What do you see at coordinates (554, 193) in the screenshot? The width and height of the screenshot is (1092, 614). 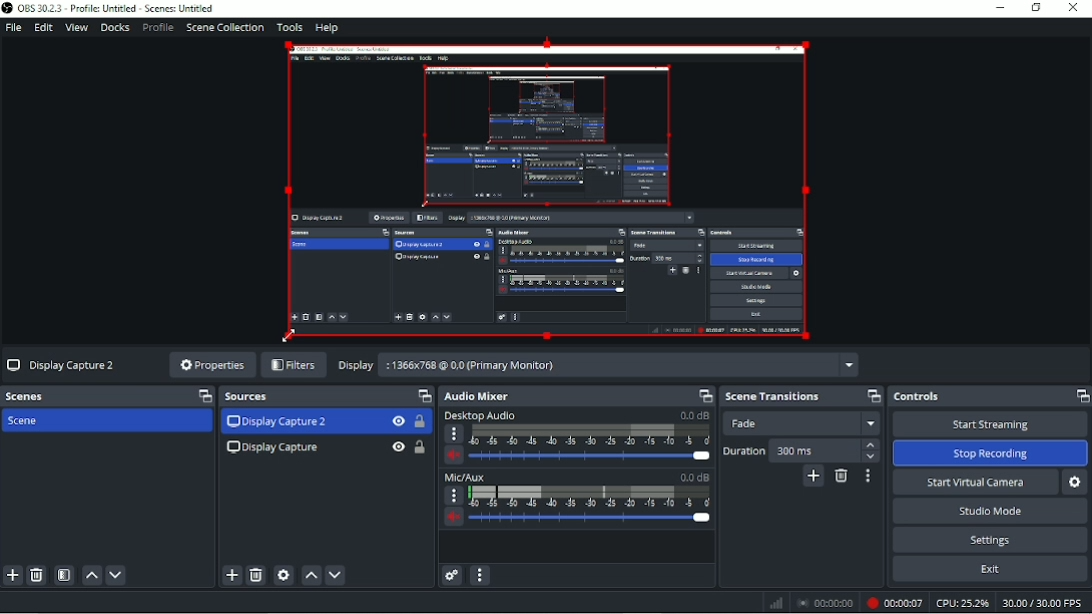 I see `Video` at bounding box center [554, 193].